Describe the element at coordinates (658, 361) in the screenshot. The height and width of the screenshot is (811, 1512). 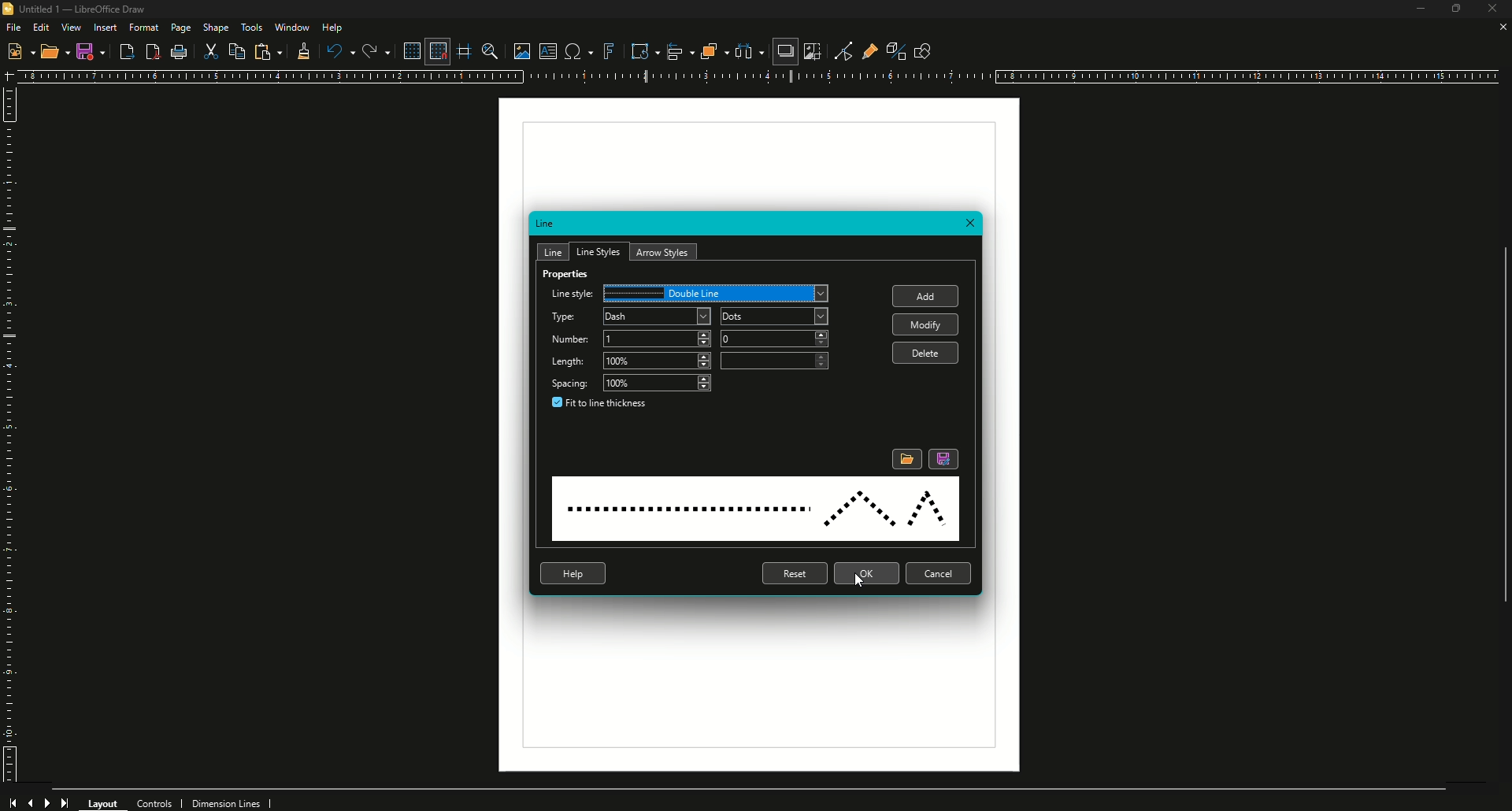
I see `300%` at that location.